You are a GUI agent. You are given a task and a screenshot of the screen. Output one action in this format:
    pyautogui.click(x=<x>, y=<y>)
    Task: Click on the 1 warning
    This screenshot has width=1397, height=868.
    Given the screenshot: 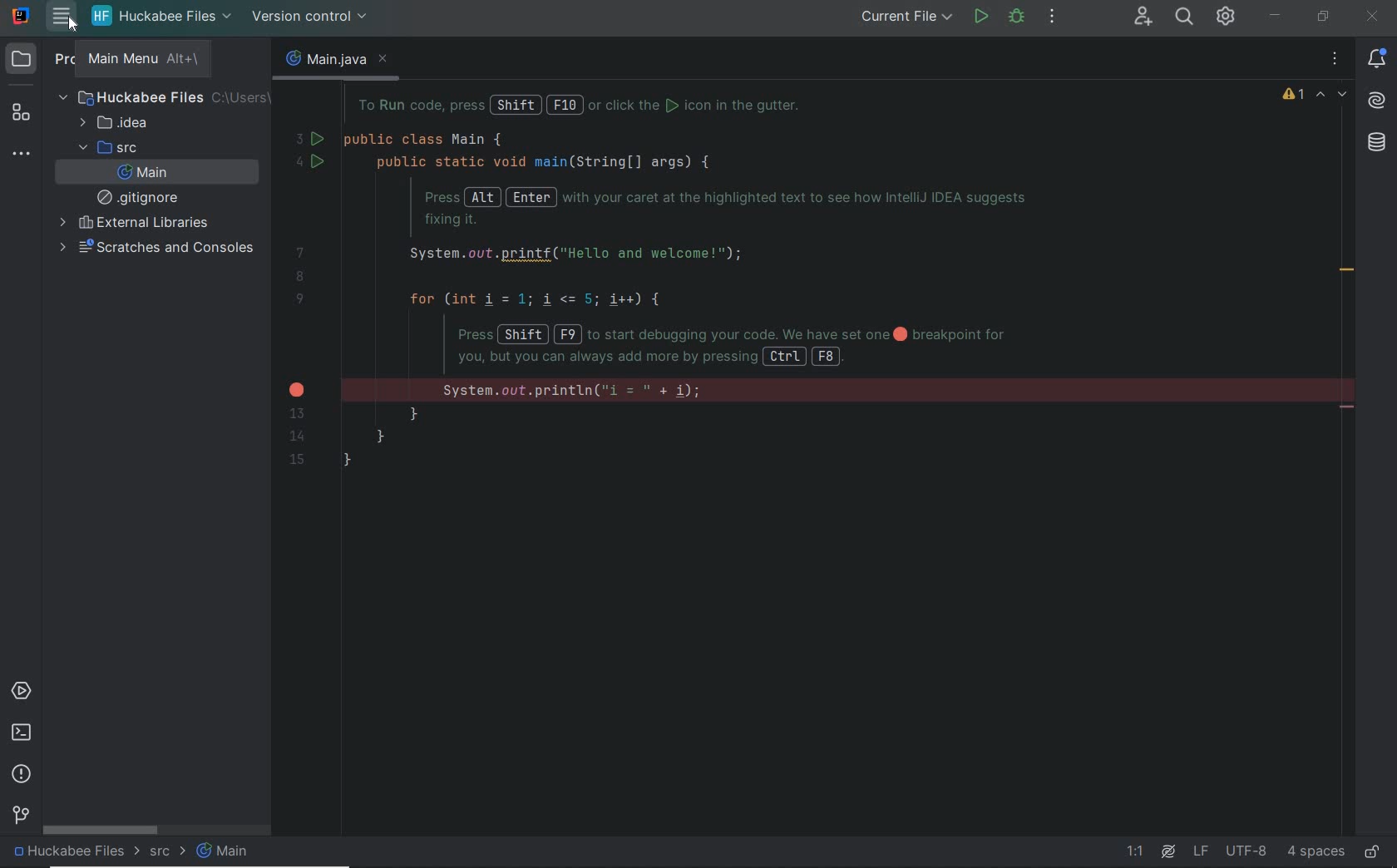 What is the action you would take?
    pyautogui.click(x=1296, y=97)
    